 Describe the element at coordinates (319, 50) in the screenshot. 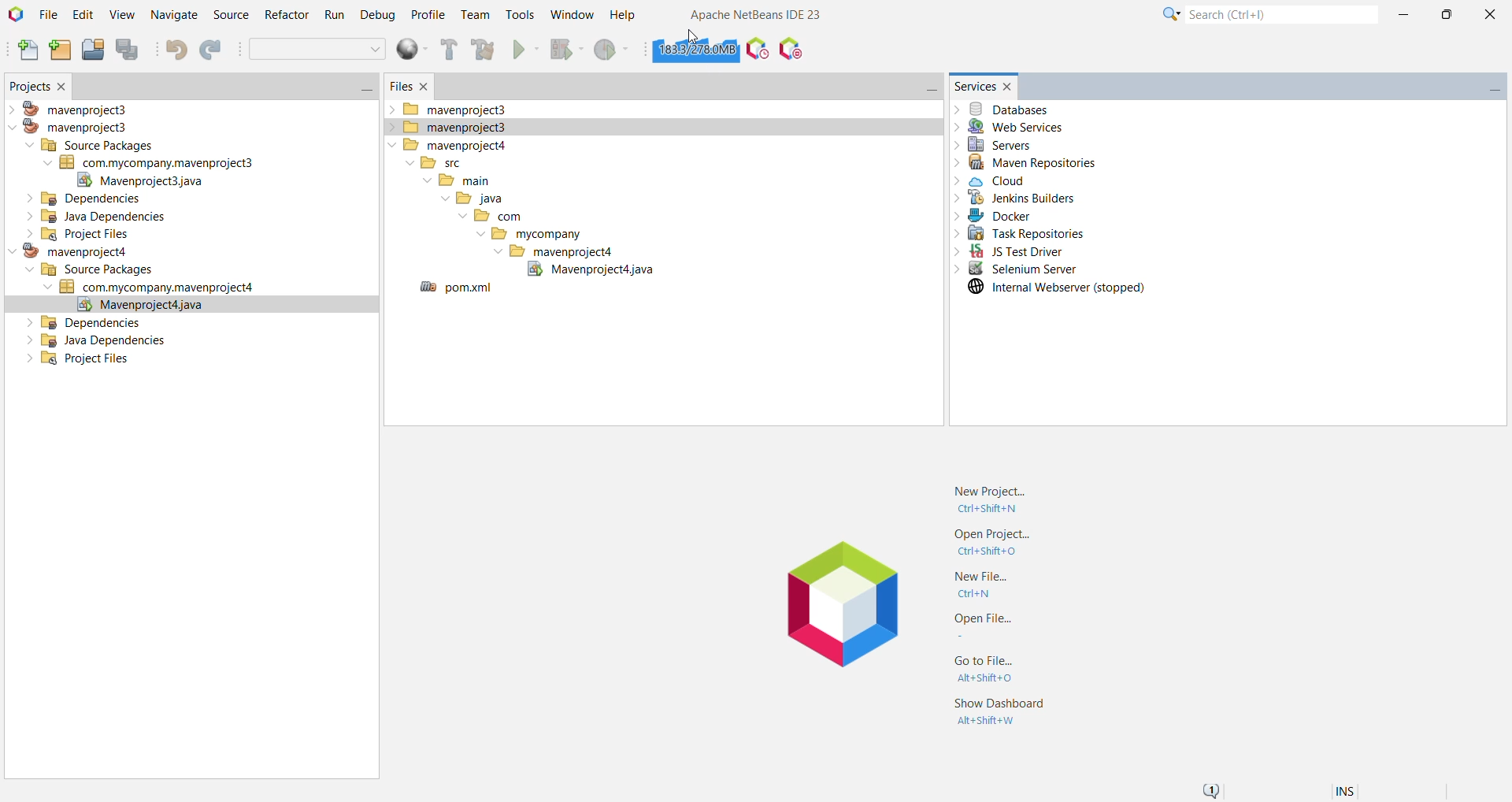

I see `default config` at that location.